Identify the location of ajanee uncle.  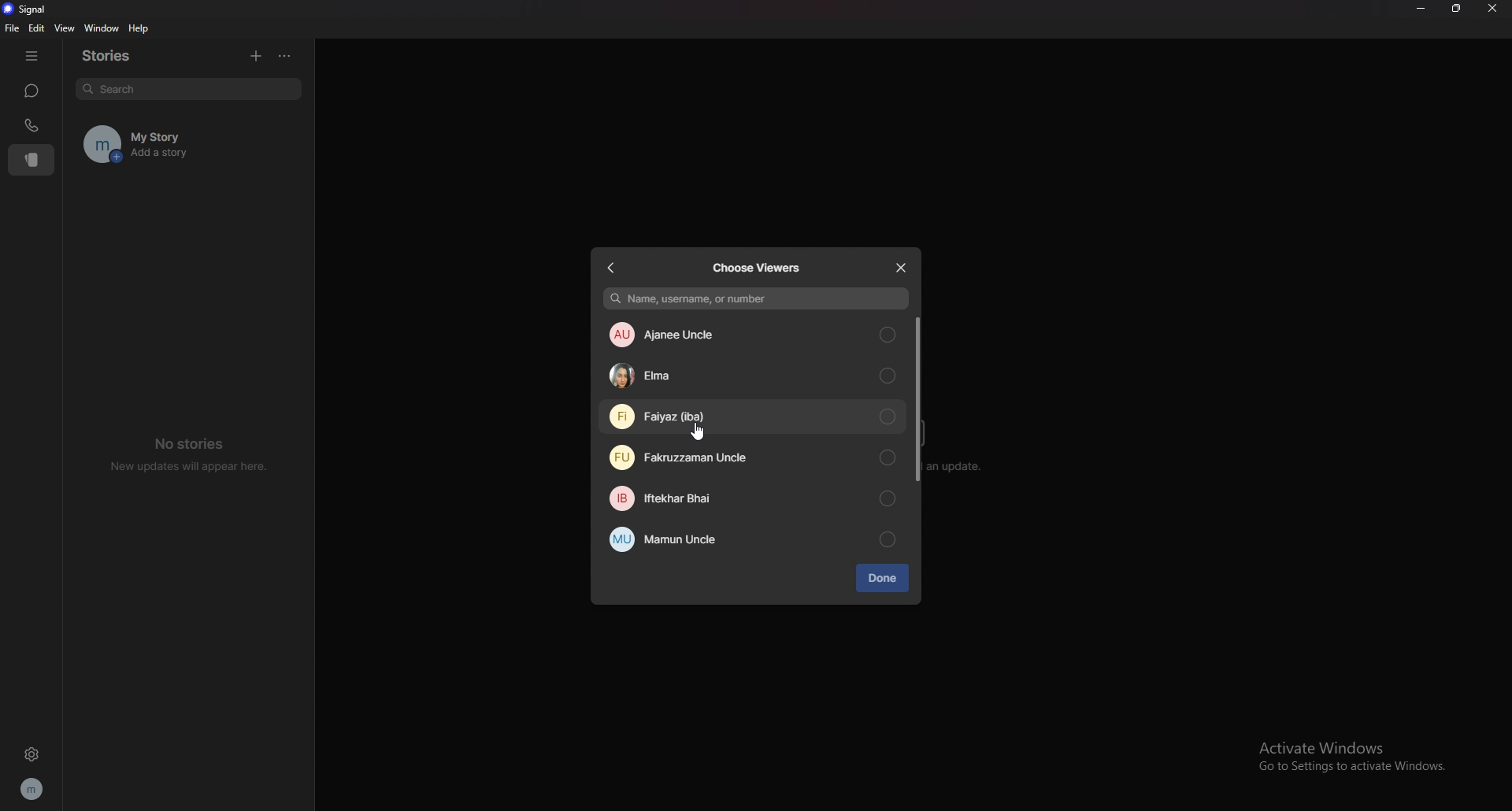
(752, 335).